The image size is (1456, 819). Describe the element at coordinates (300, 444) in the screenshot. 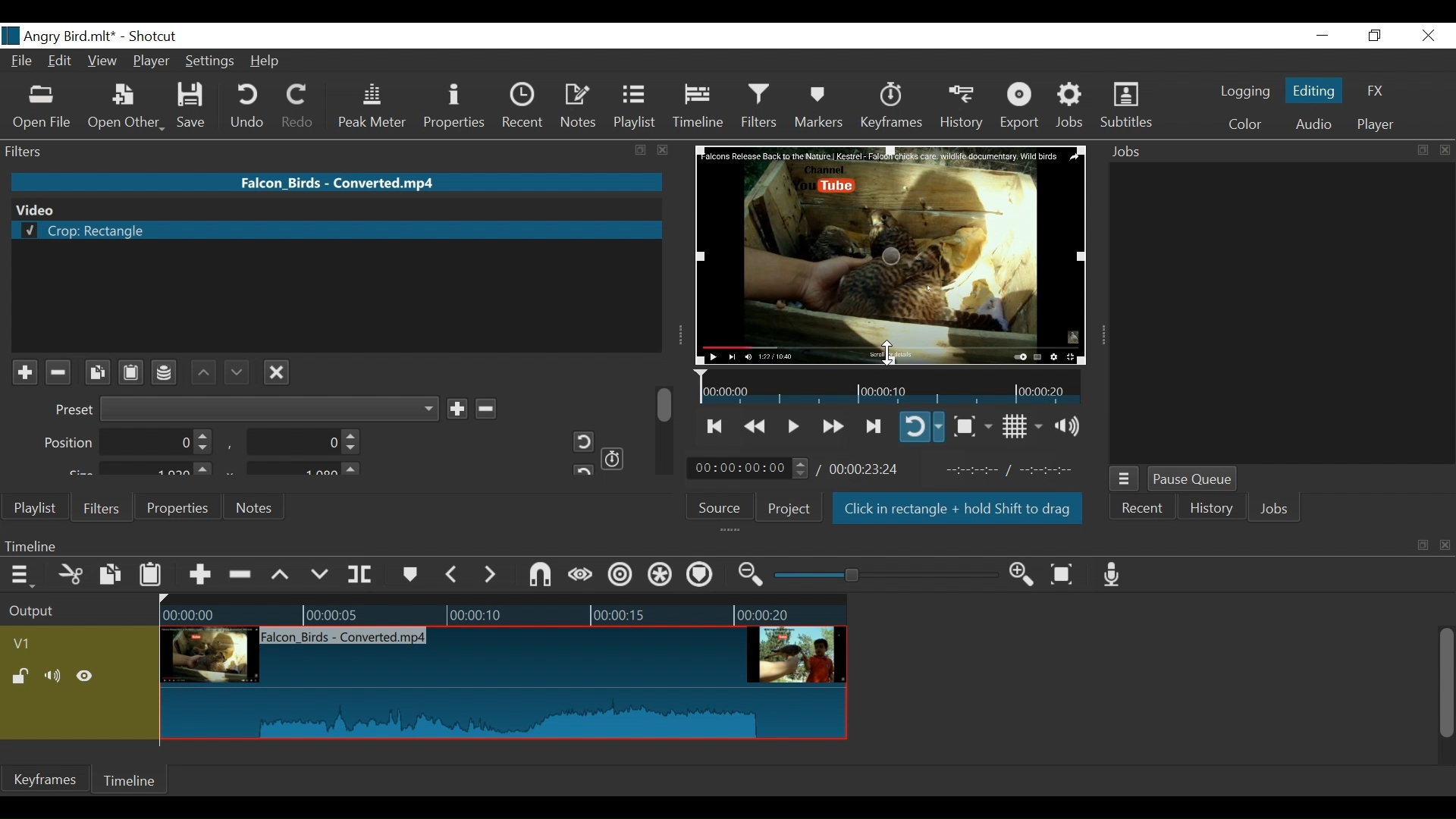

I see `0` at that location.